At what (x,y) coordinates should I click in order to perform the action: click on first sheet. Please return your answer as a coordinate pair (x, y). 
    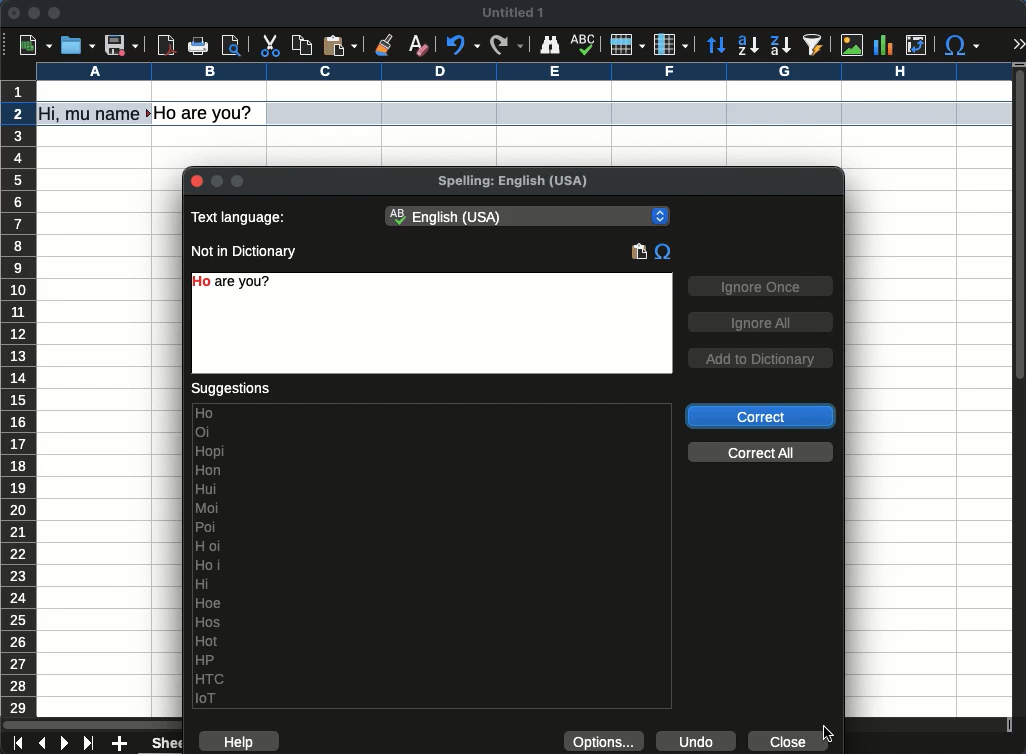
    Looking at the image, I should click on (20, 743).